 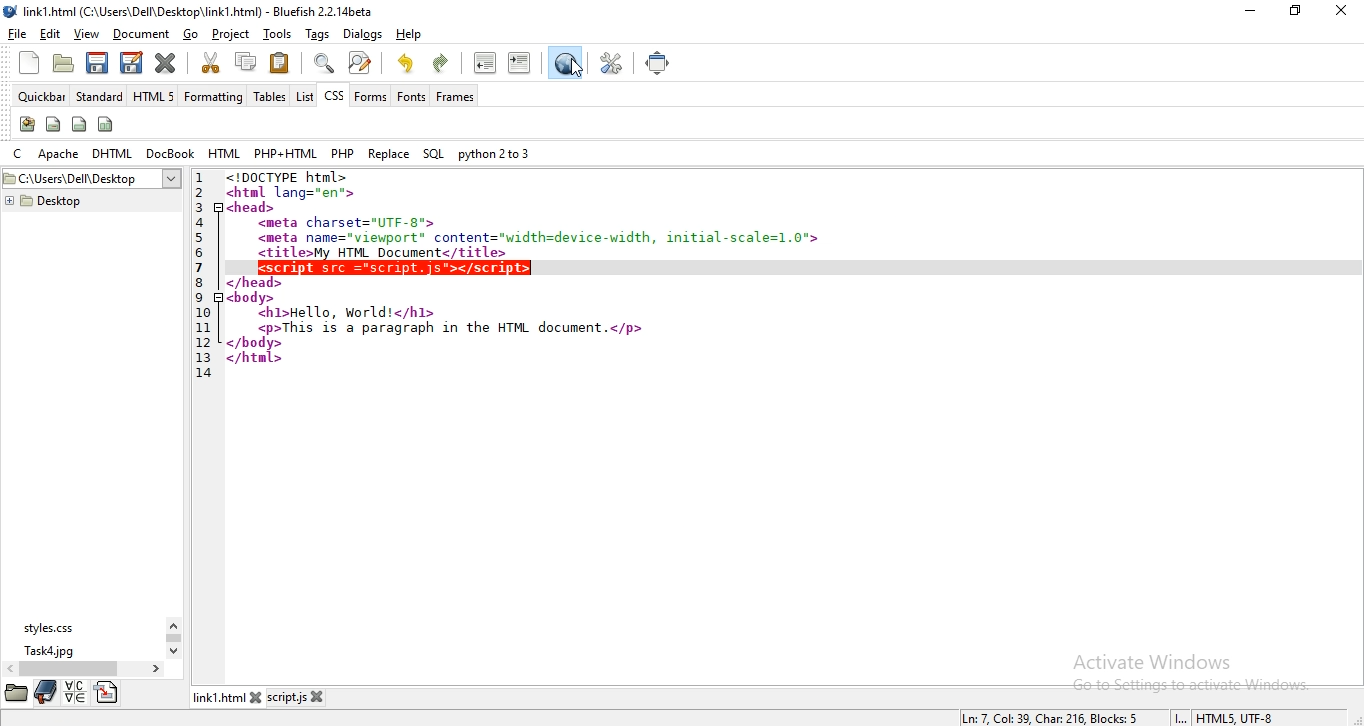 What do you see at coordinates (286, 152) in the screenshot?
I see `php + html` at bounding box center [286, 152].